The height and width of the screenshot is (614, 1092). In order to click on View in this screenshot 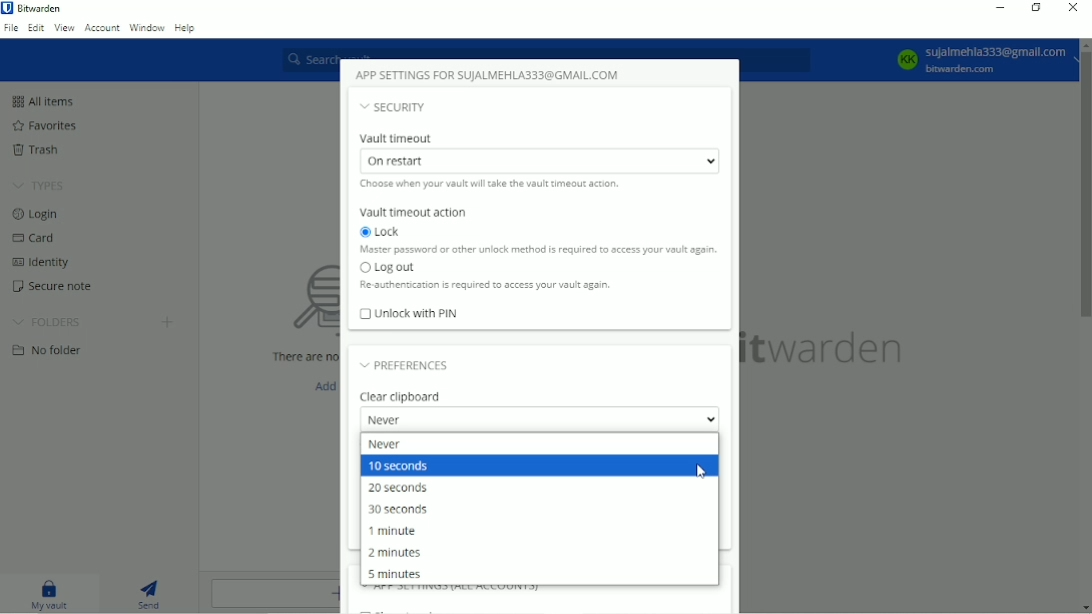, I will do `click(64, 29)`.